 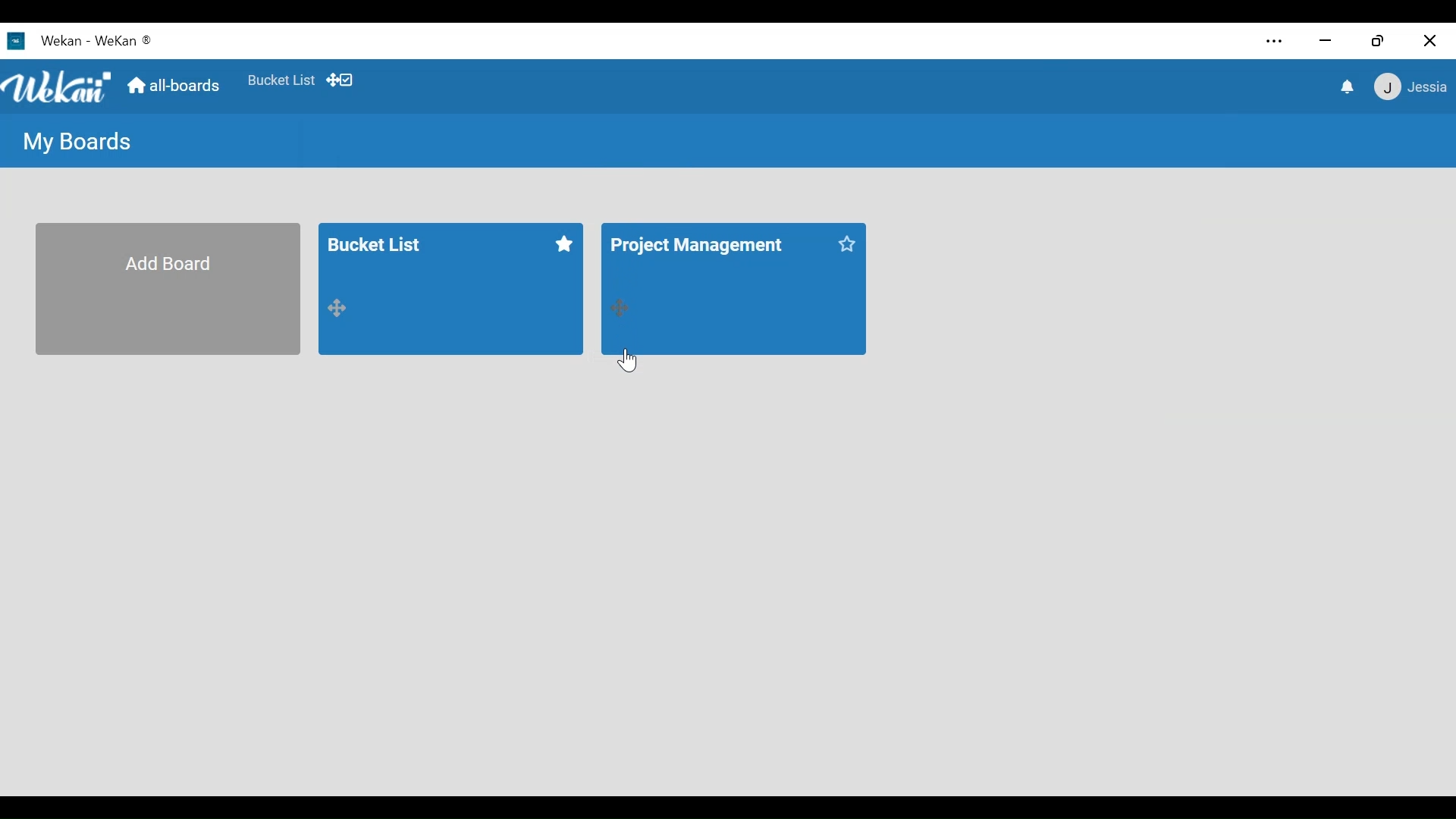 What do you see at coordinates (453, 290) in the screenshot?
I see `board 1` at bounding box center [453, 290].